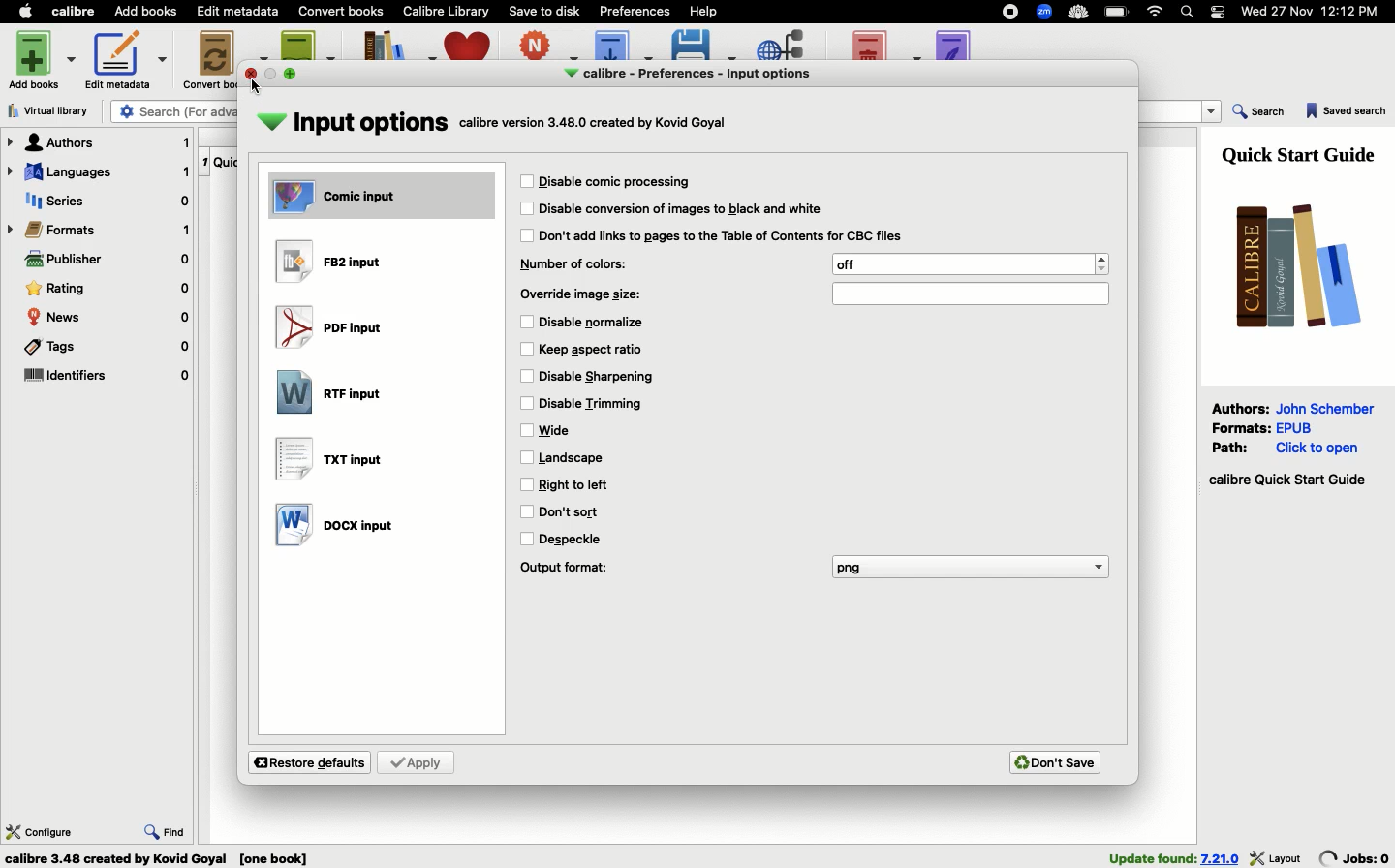 The height and width of the screenshot is (868, 1395). I want to click on Notification, so click(1219, 12).